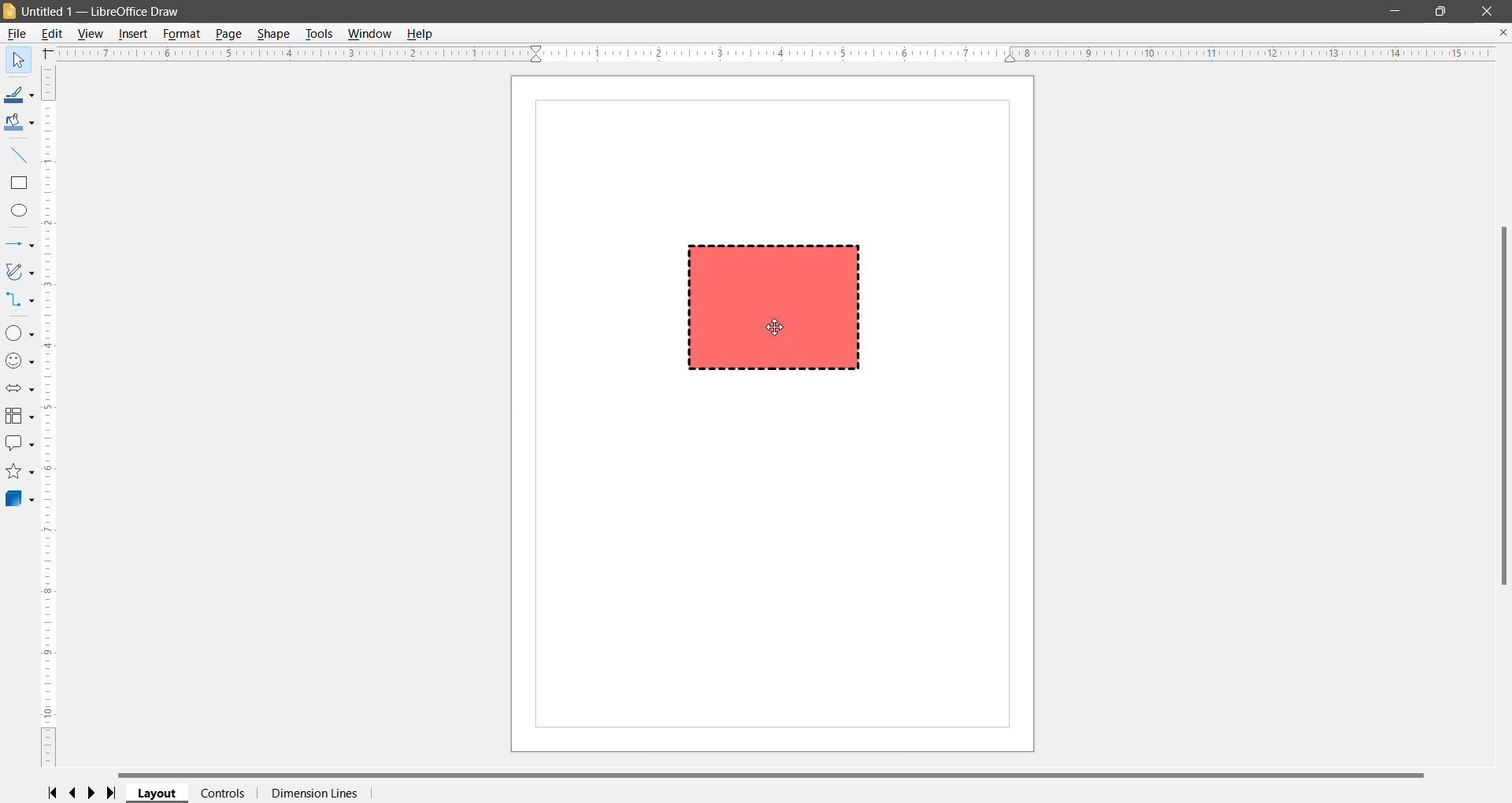 The width and height of the screenshot is (1512, 803). Describe the element at coordinates (19, 210) in the screenshot. I see `Ellipse` at that location.